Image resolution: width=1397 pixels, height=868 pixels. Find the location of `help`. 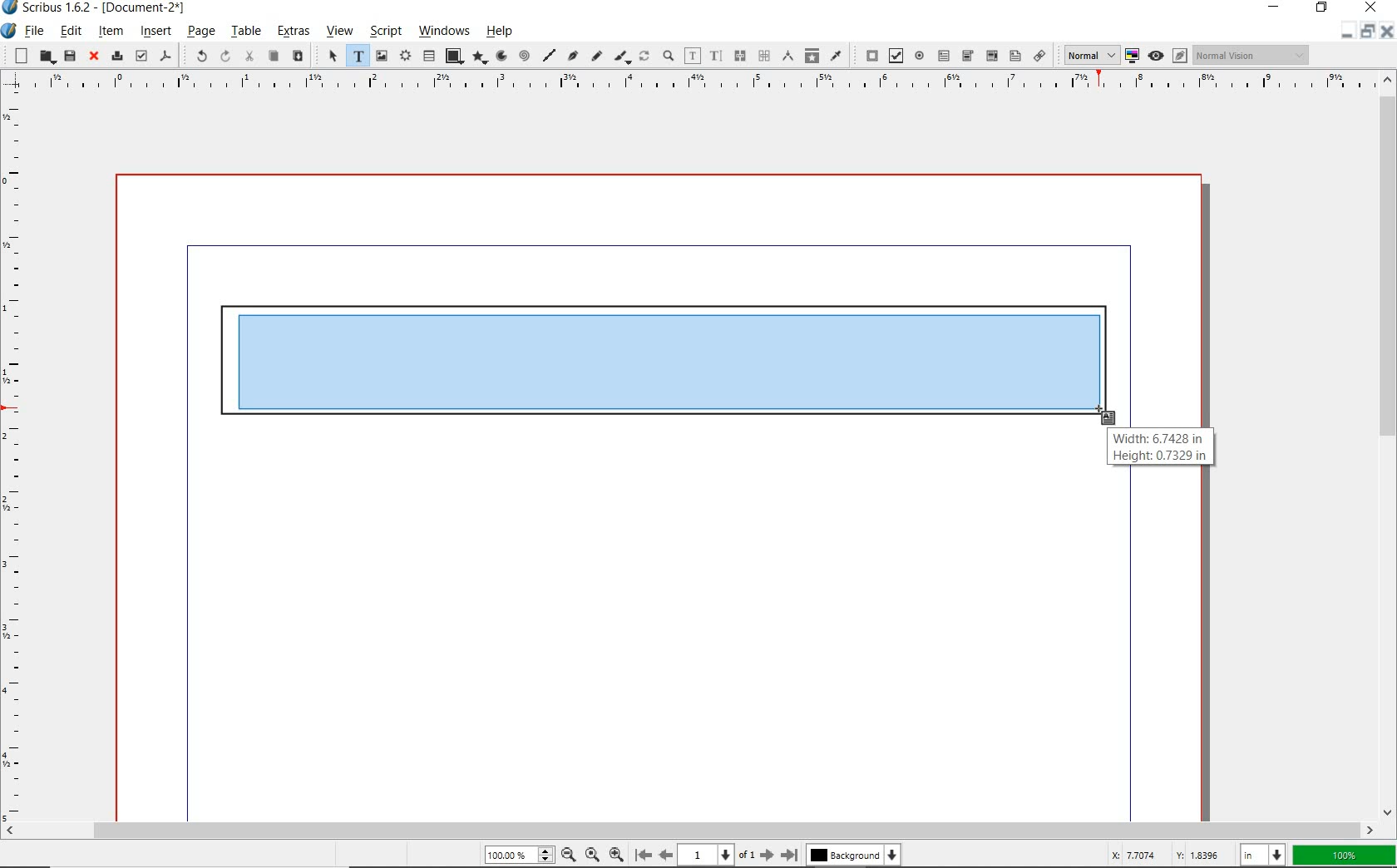

help is located at coordinates (502, 31).